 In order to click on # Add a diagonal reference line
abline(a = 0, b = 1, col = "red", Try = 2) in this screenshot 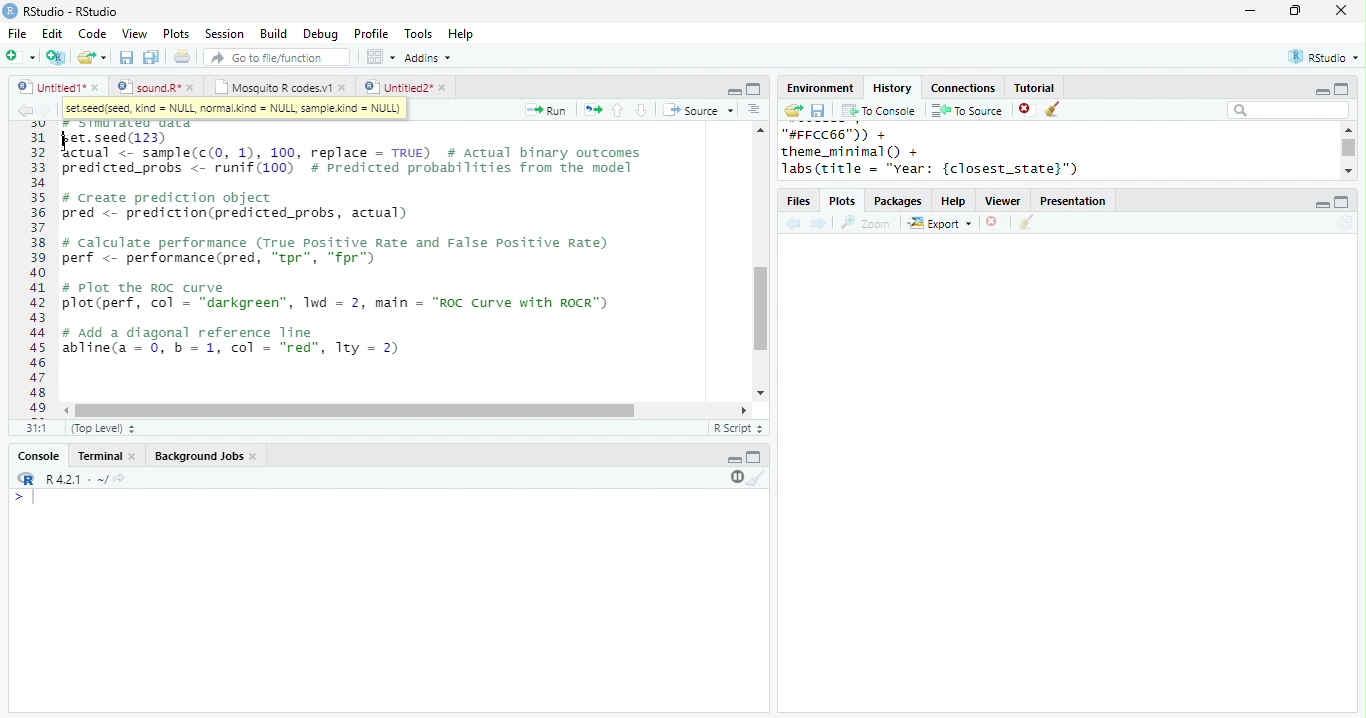, I will do `click(234, 343)`.